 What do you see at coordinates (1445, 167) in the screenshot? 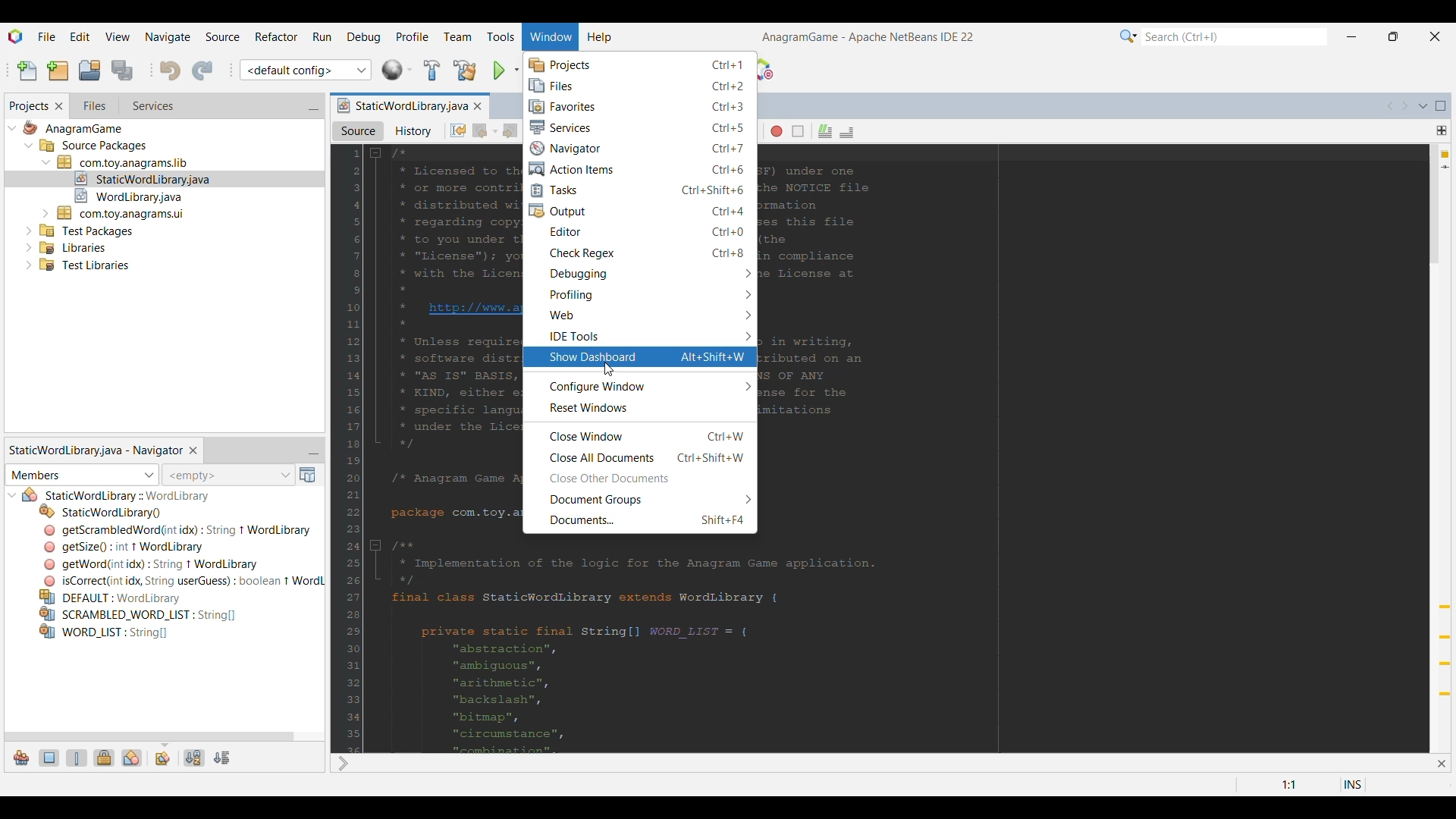
I see `Current line` at bounding box center [1445, 167].